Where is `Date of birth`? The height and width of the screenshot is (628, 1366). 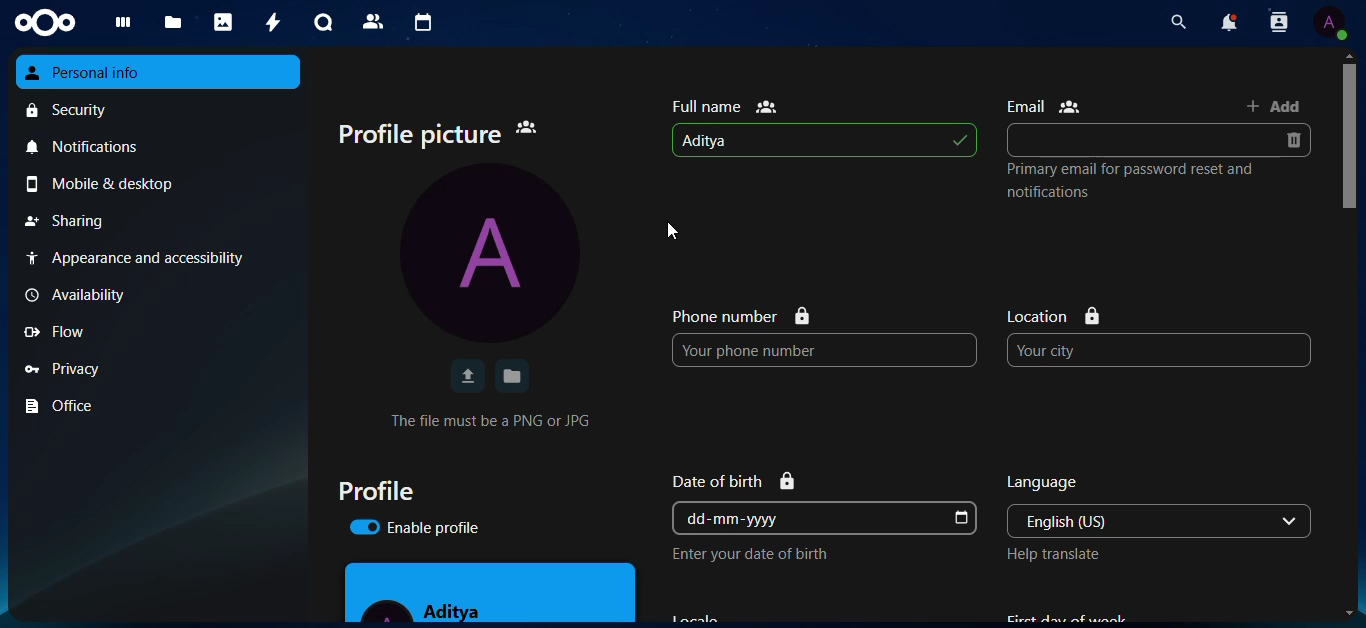 Date of birth is located at coordinates (734, 481).